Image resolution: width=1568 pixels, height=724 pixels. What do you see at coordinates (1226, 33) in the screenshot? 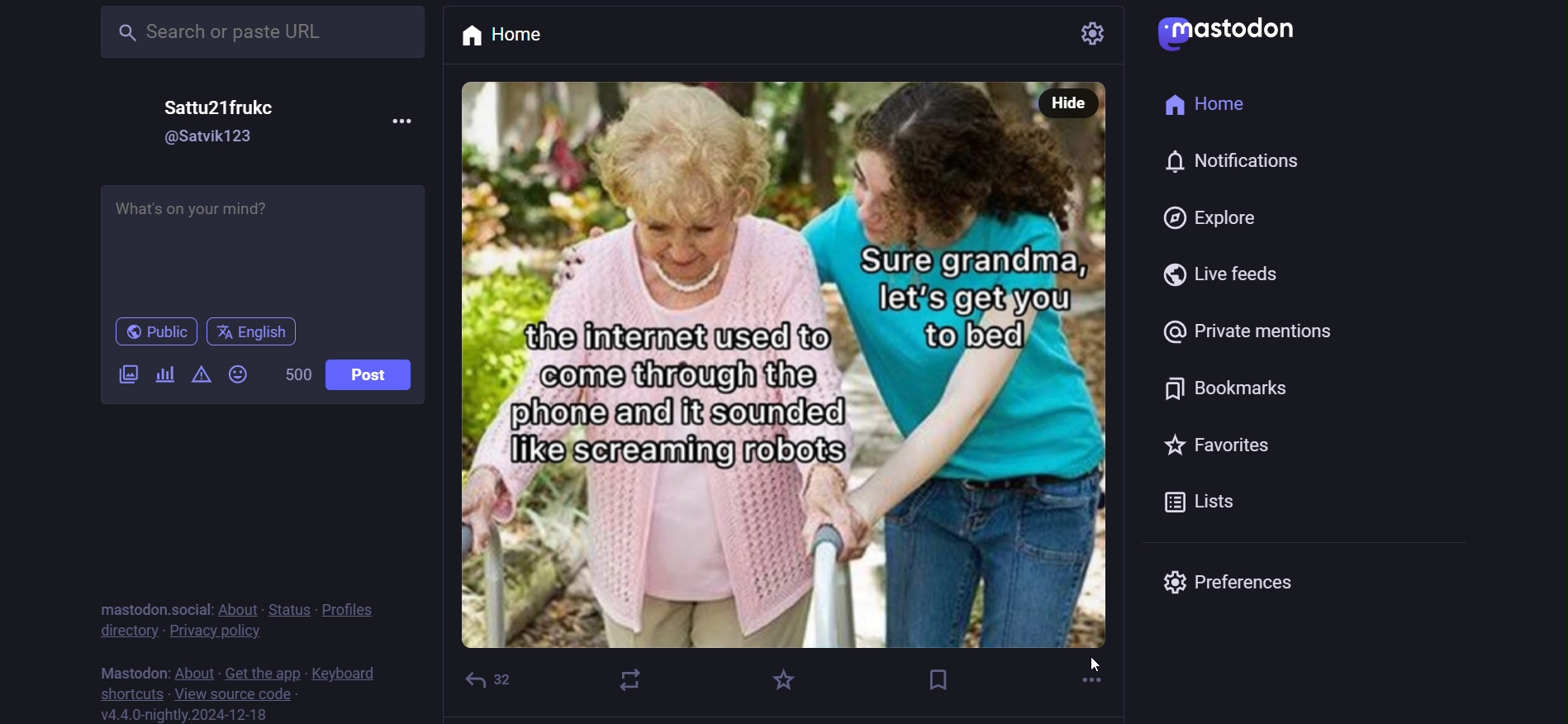
I see `logo` at bounding box center [1226, 33].